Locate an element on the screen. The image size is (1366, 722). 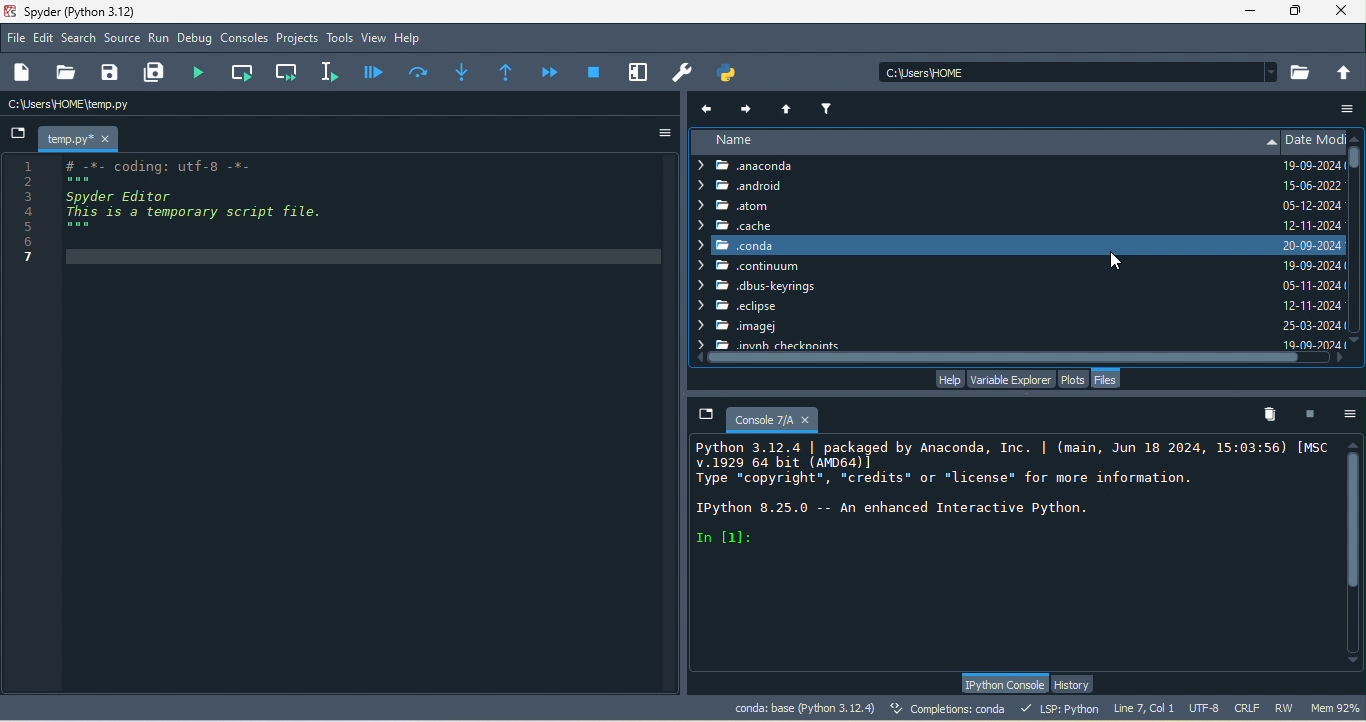
console 7/a is located at coordinates (762, 417).